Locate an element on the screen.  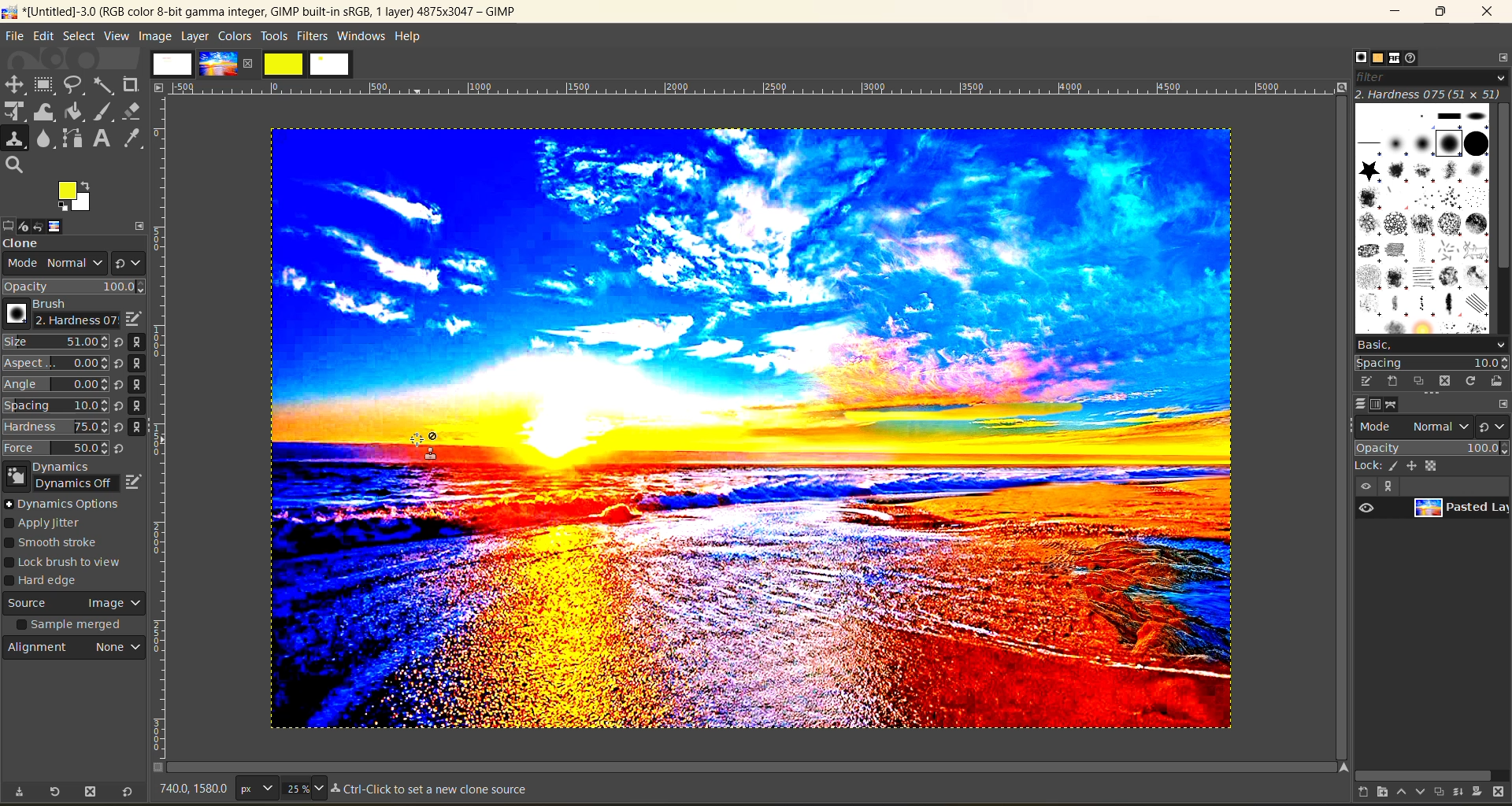
ruler is located at coordinates (165, 431).